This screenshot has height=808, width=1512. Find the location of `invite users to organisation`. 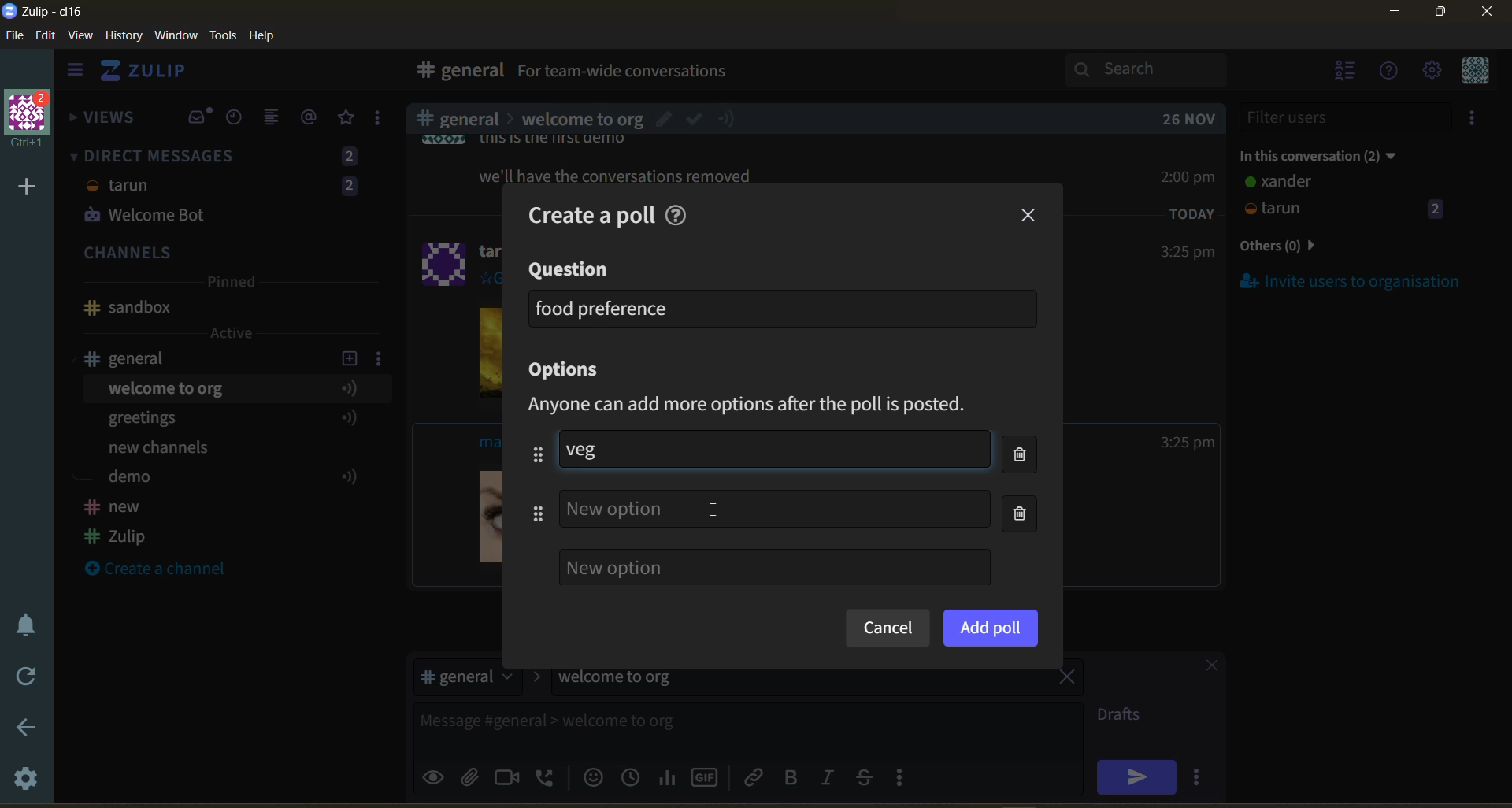

invite users to organisation is located at coordinates (1351, 280).